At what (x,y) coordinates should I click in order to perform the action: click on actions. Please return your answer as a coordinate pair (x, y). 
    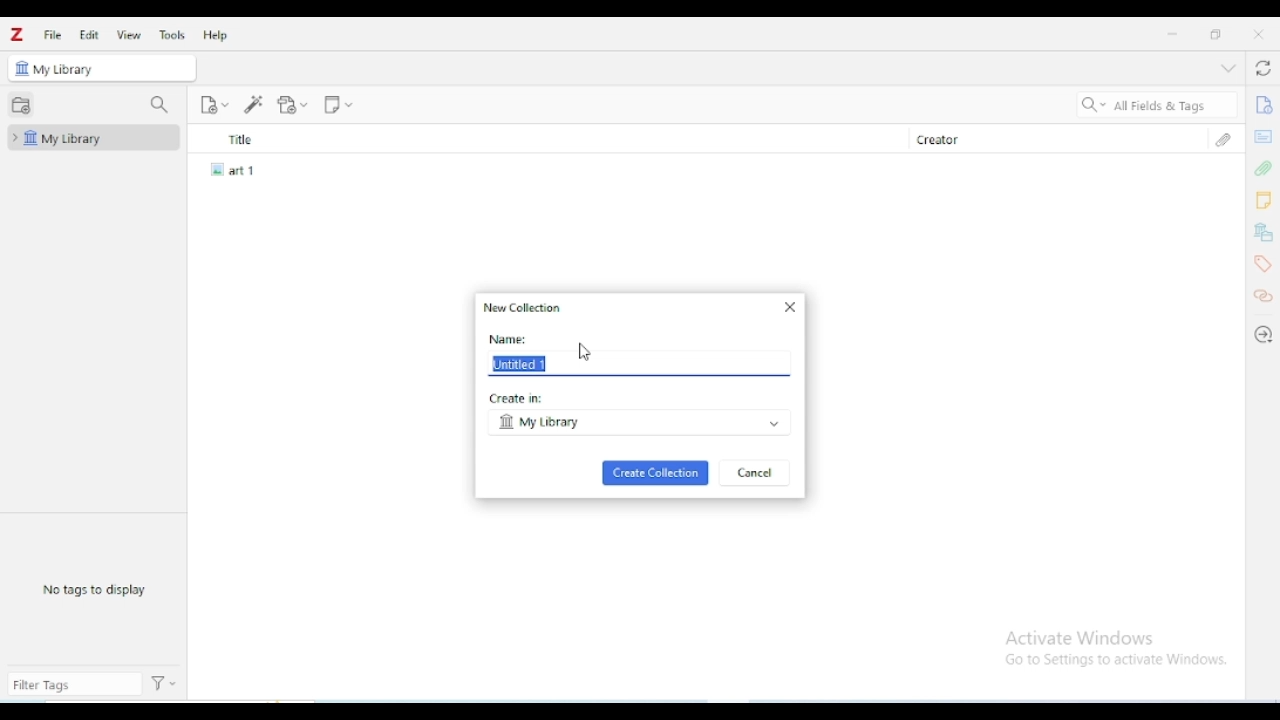
    Looking at the image, I should click on (166, 684).